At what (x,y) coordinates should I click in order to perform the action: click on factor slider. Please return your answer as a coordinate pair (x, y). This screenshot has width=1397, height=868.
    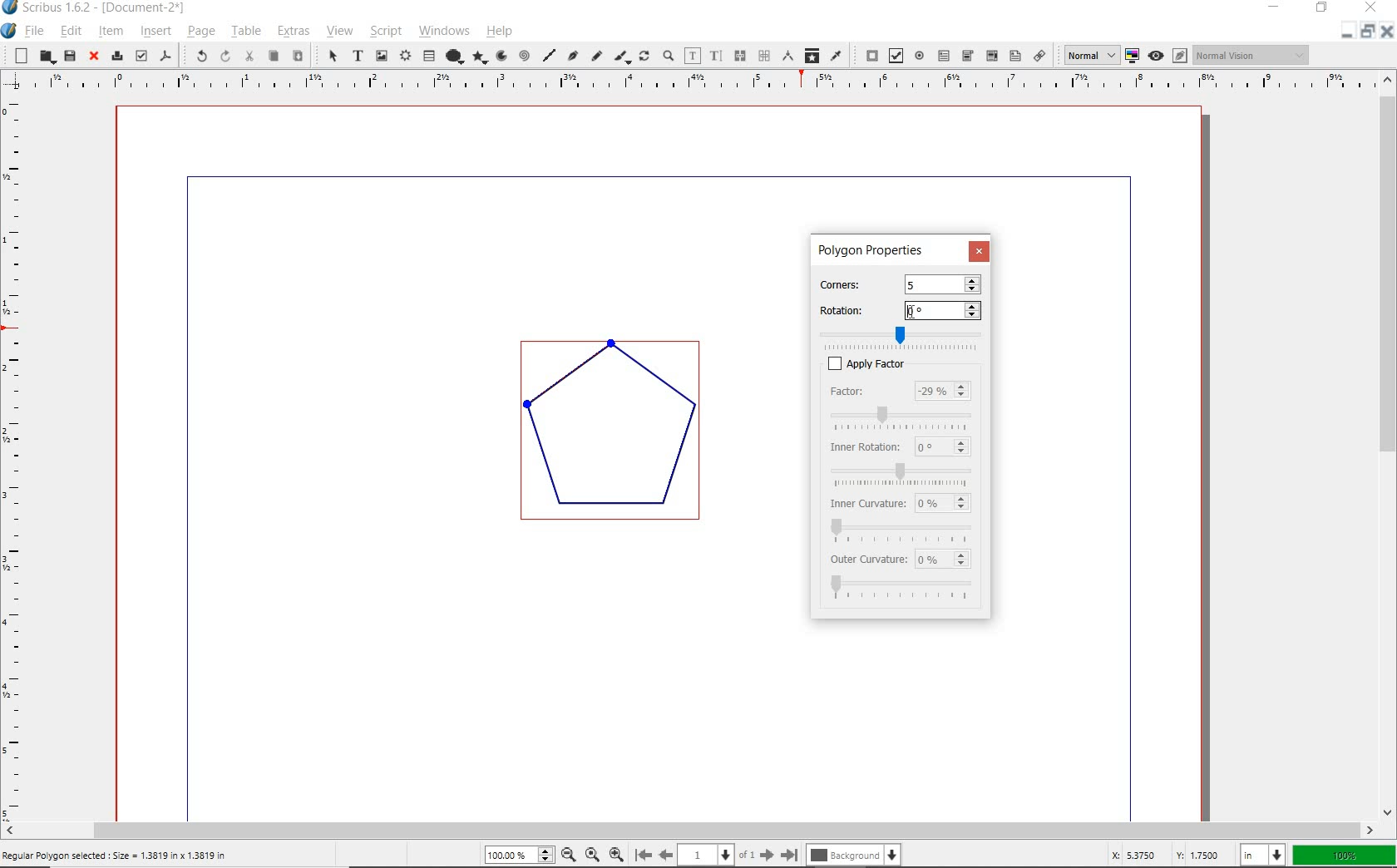
    Looking at the image, I should click on (906, 416).